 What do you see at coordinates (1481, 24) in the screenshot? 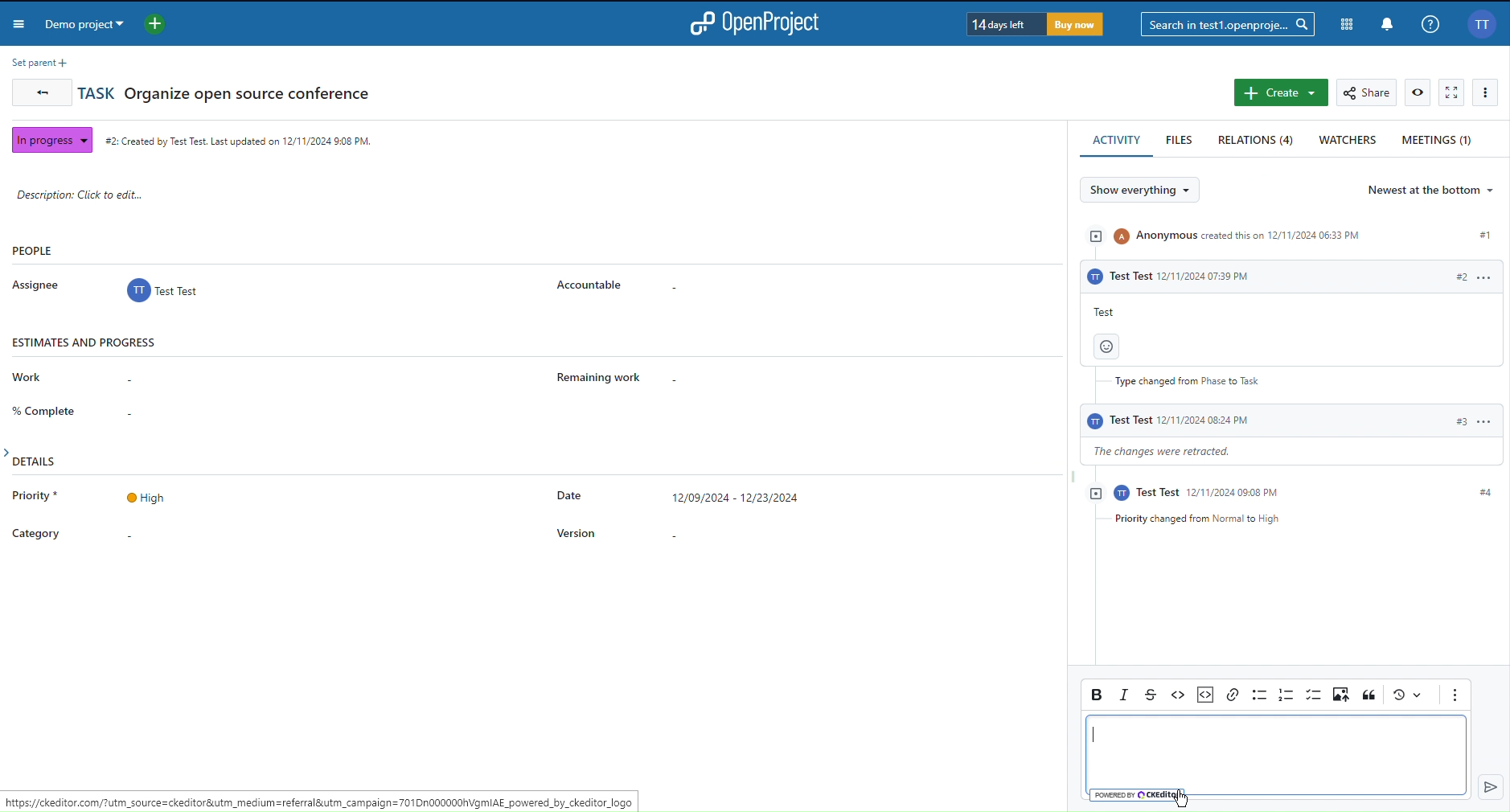
I see `Account` at bounding box center [1481, 24].